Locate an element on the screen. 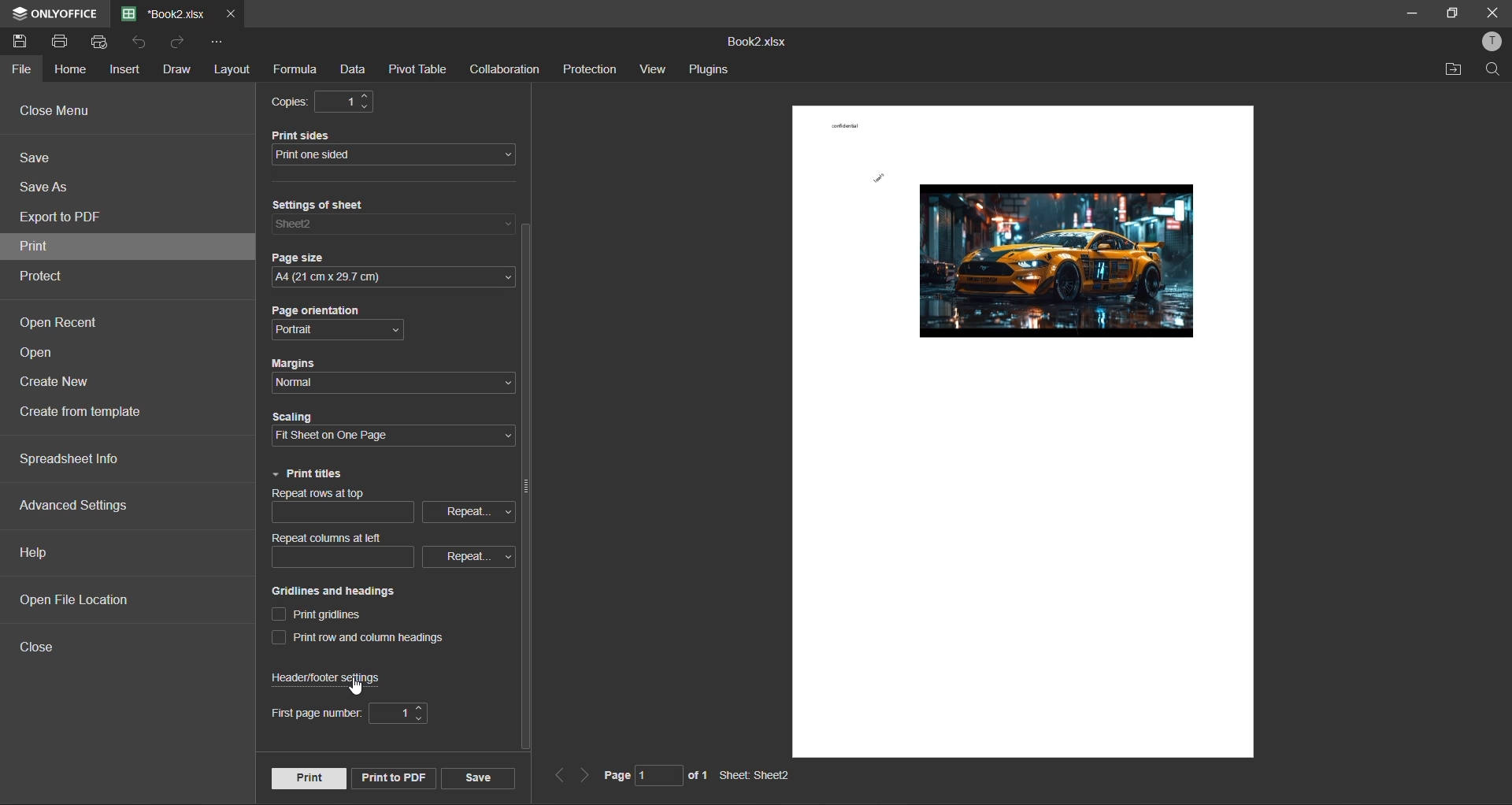  close tab is located at coordinates (231, 12).